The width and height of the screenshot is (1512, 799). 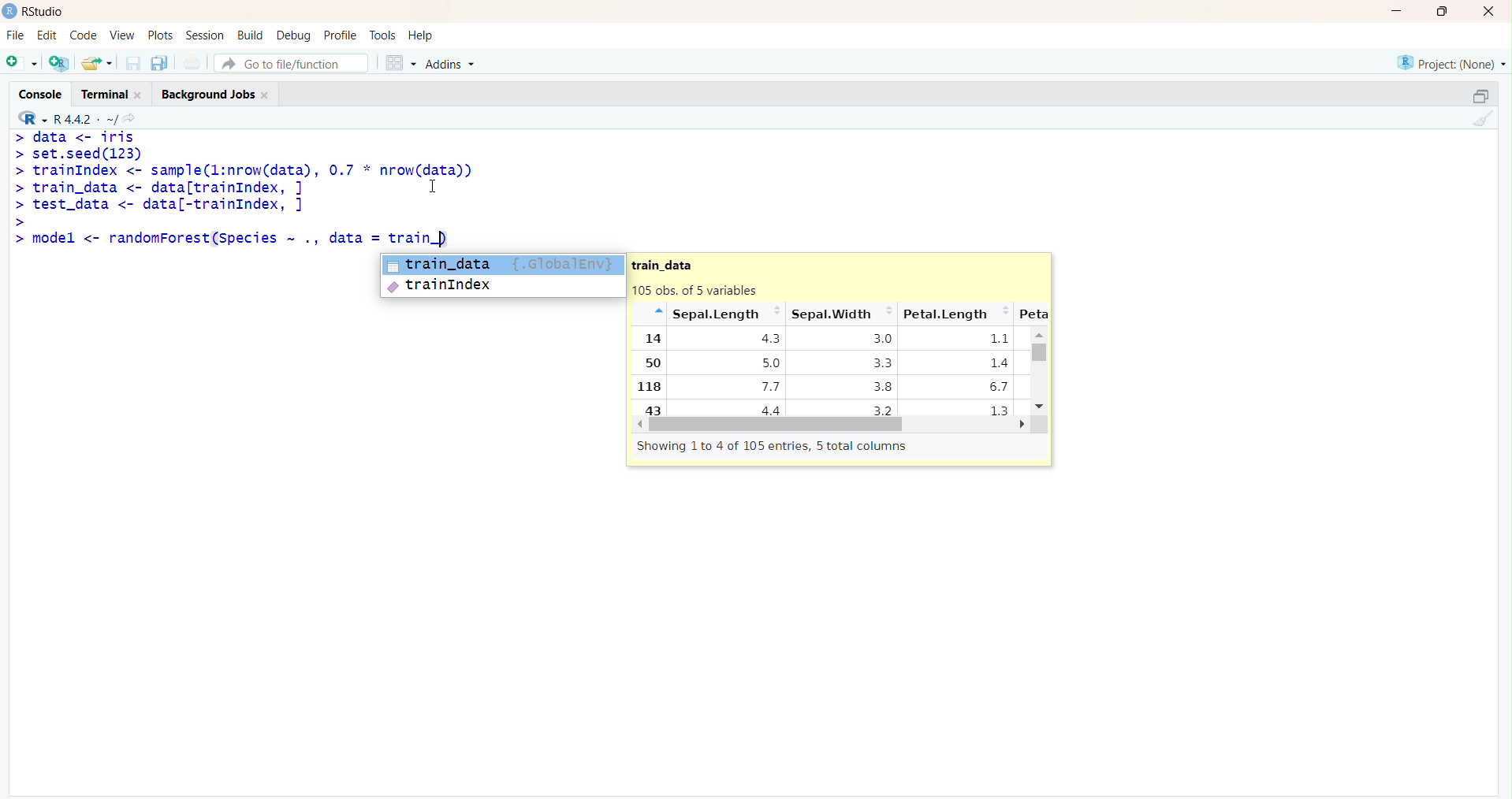 I want to click on Edit, so click(x=47, y=33).